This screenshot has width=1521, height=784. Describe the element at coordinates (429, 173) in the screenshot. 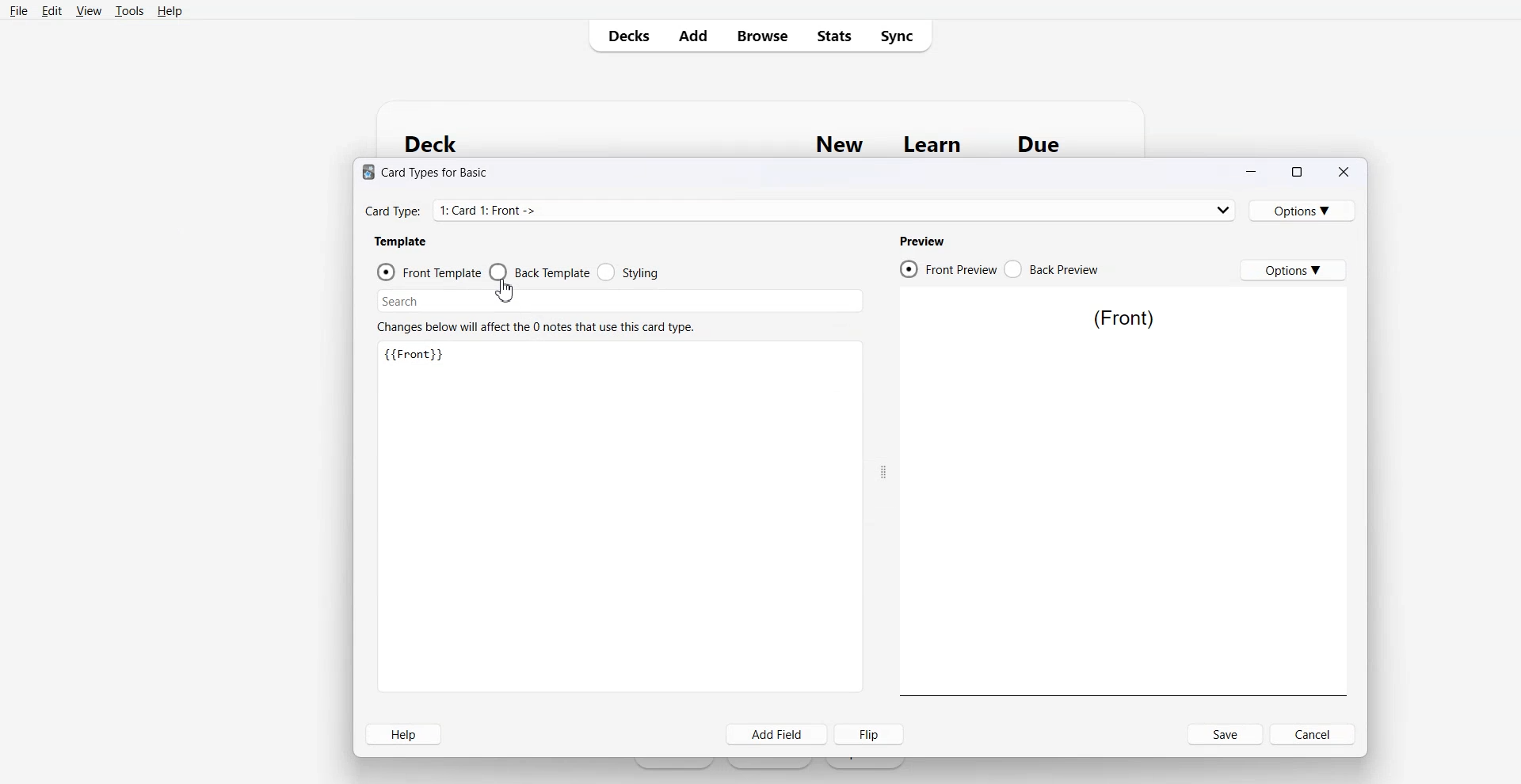

I see `® Card Types for Basic` at that location.